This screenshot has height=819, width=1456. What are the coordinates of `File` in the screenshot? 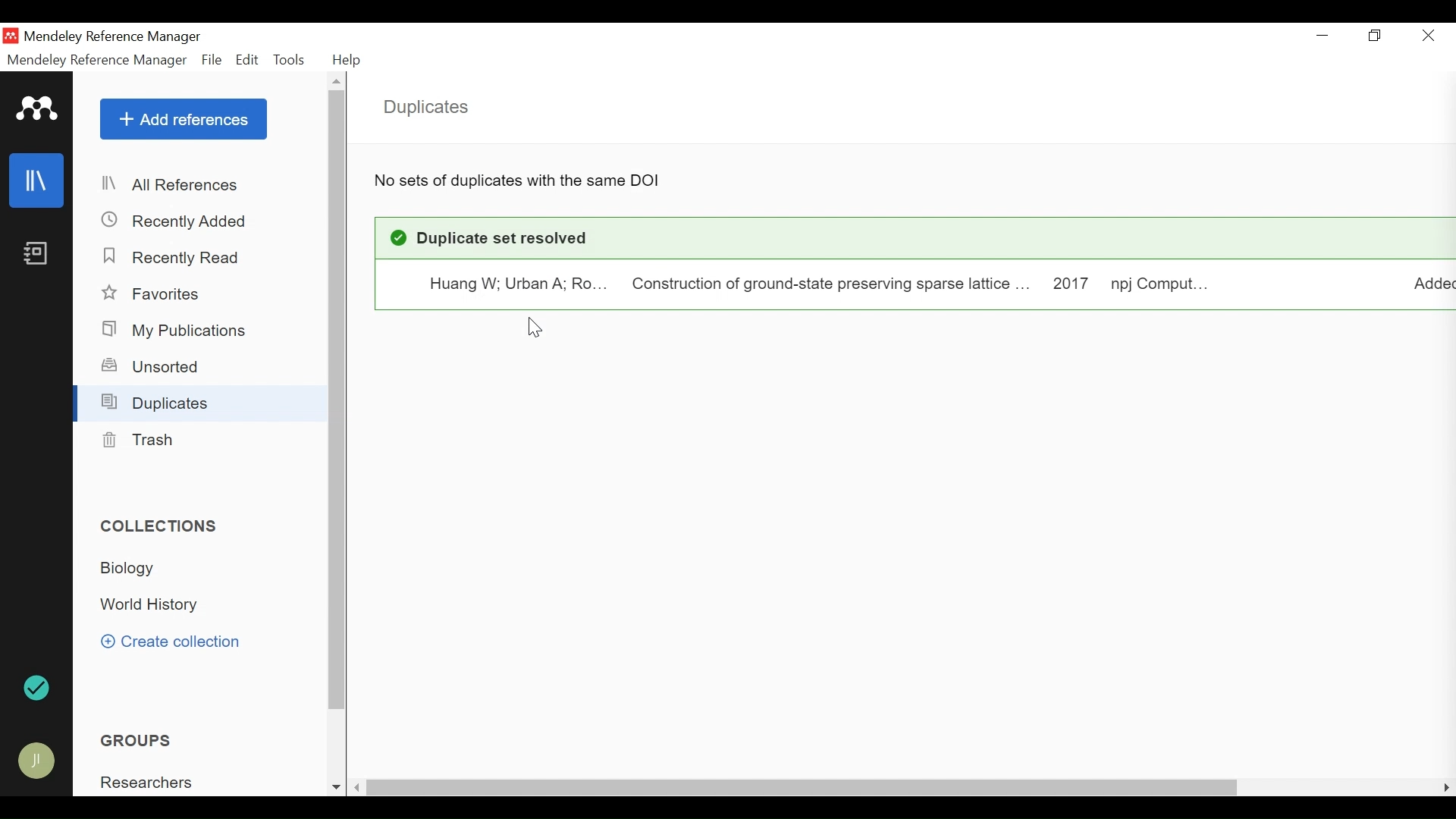 It's located at (212, 61).